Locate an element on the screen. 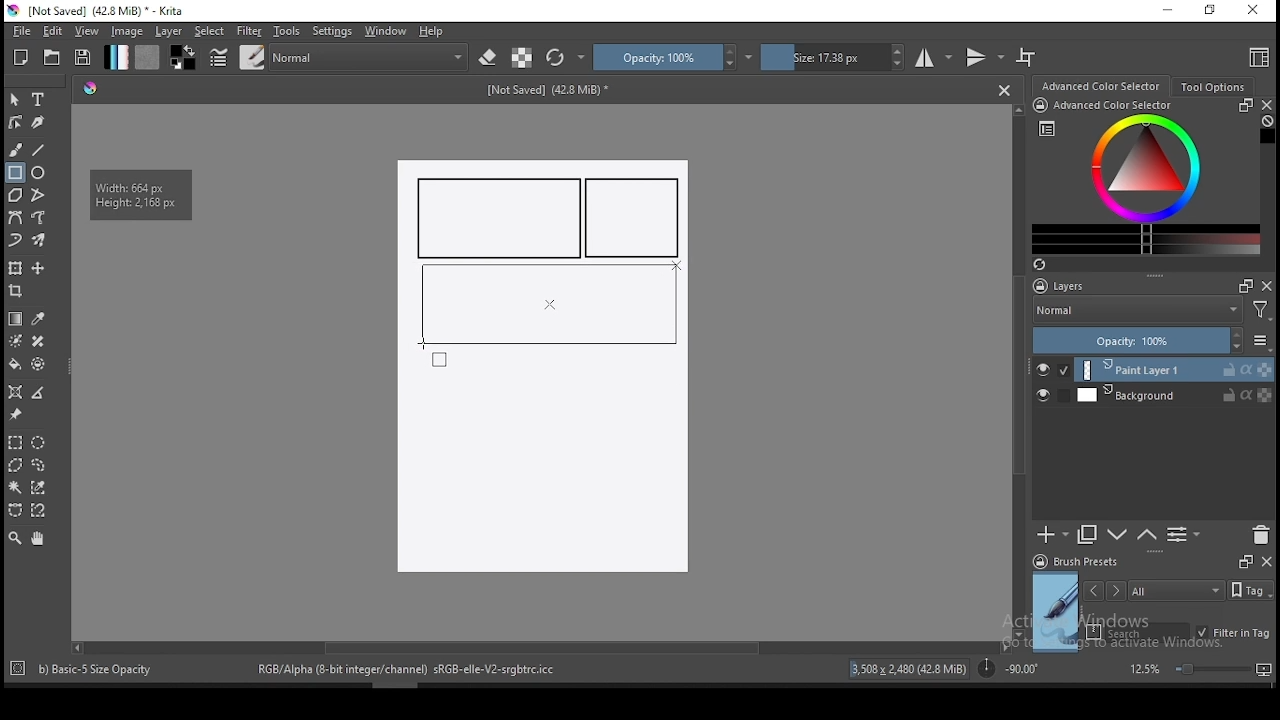 This screenshot has height=720, width=1280. edit shapes tool is located at coordinates (15, 121).